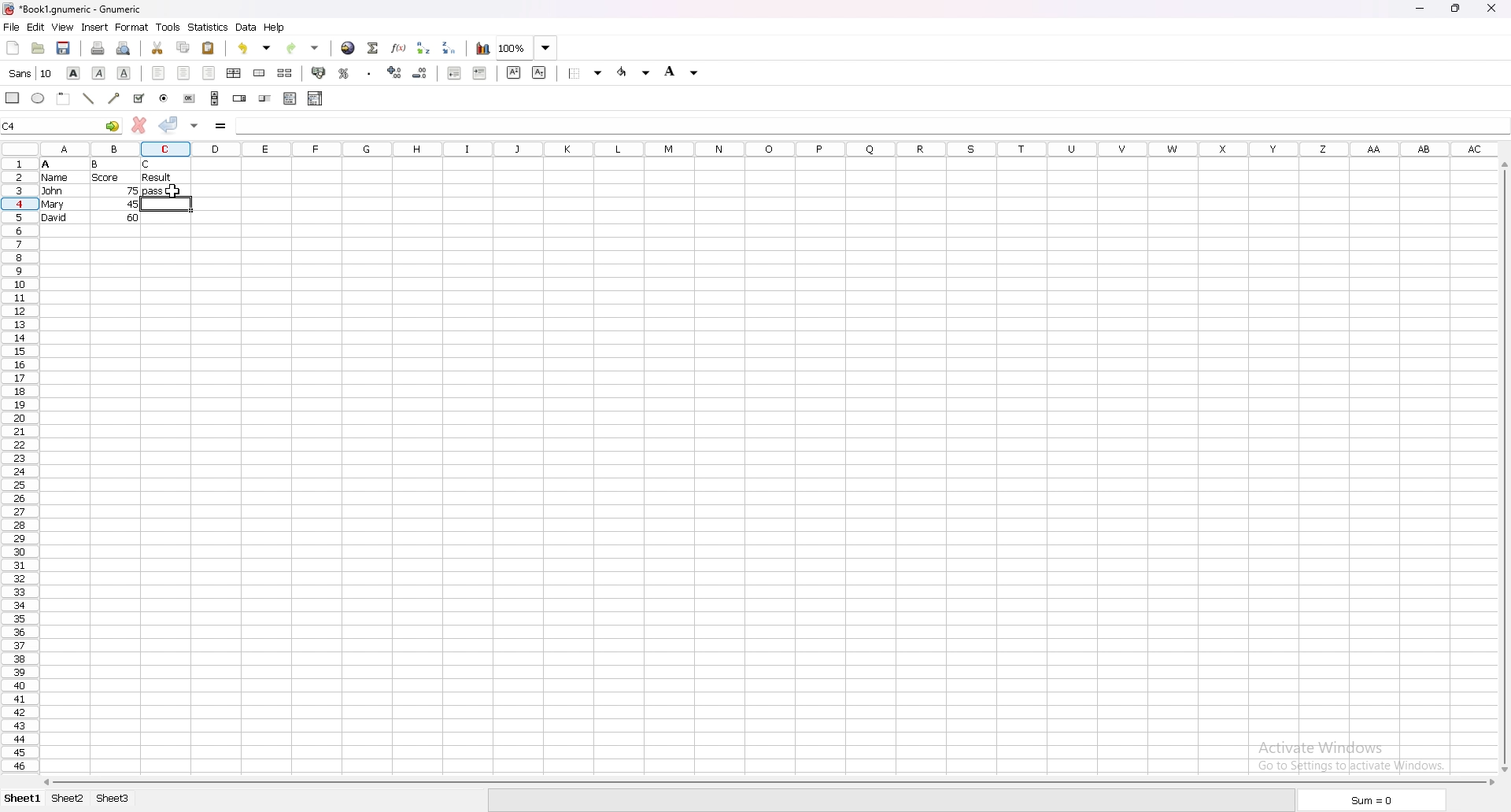  Describe the element at coordinates (241, 98) in the screenshot. I see `spin button` at that location.